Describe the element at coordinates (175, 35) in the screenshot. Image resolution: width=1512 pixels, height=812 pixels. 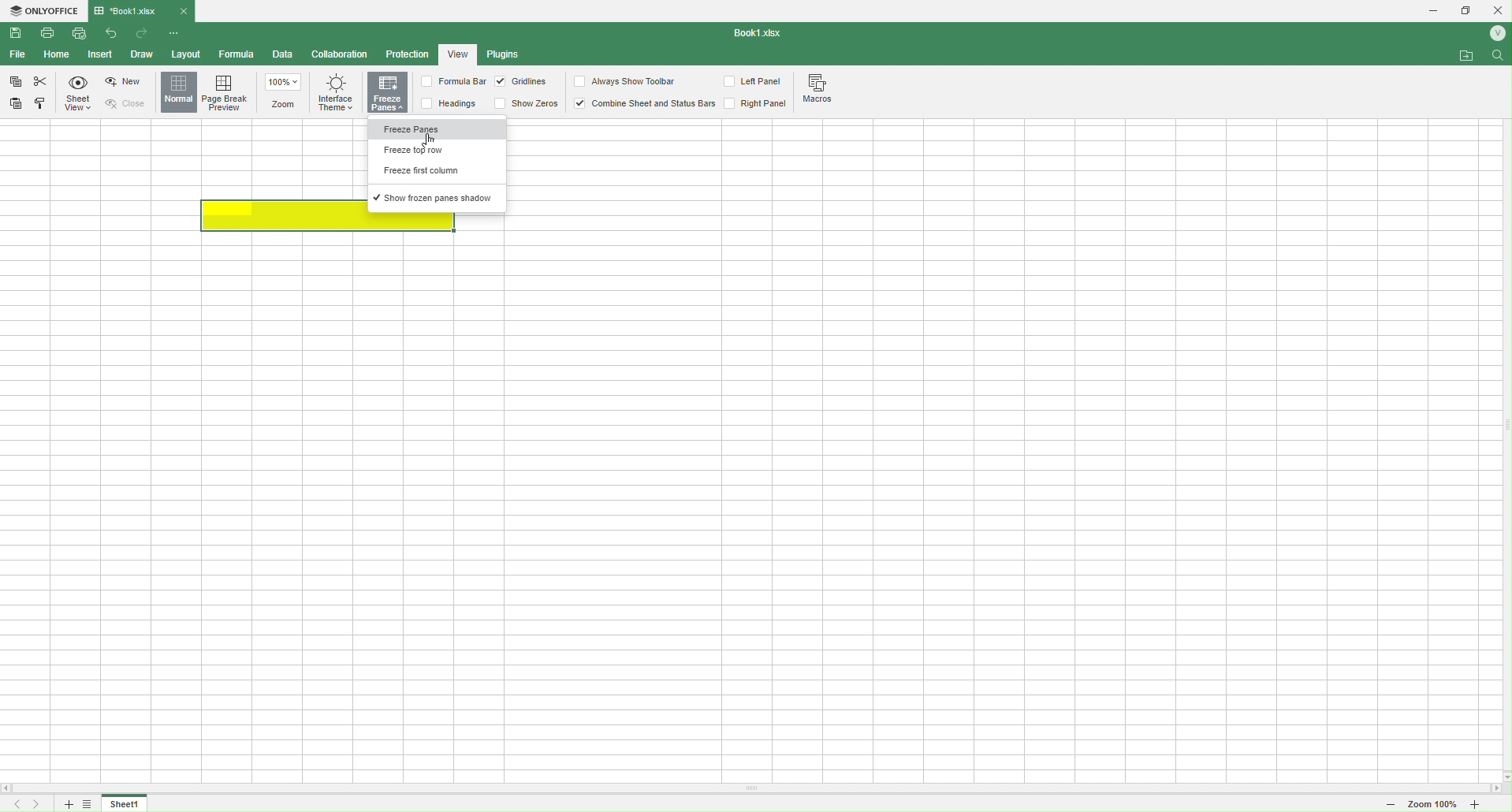
I see `Quick Access Customize Toolbar` at that location.